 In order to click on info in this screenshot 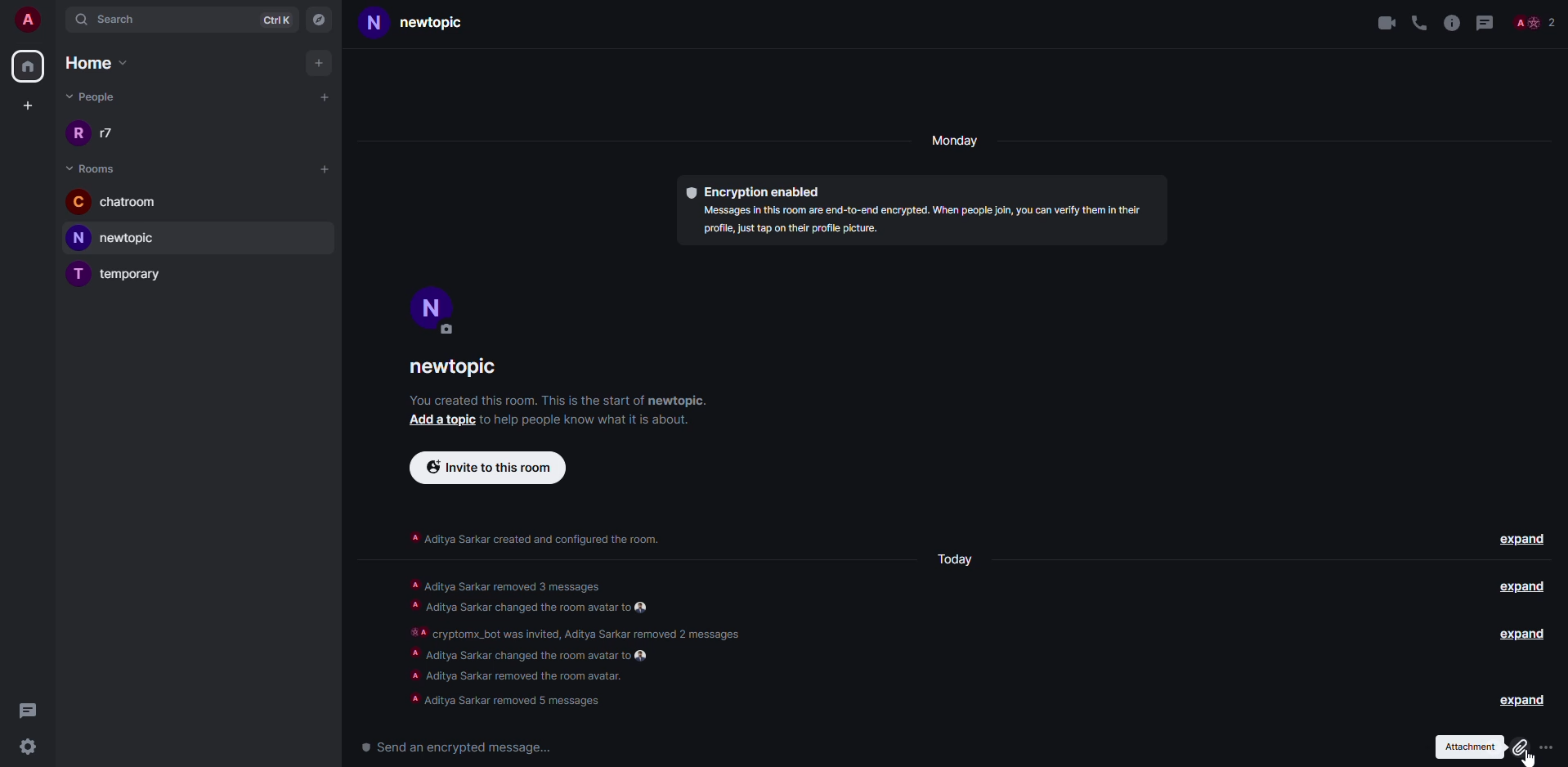, I will do `click(585, 637)`.